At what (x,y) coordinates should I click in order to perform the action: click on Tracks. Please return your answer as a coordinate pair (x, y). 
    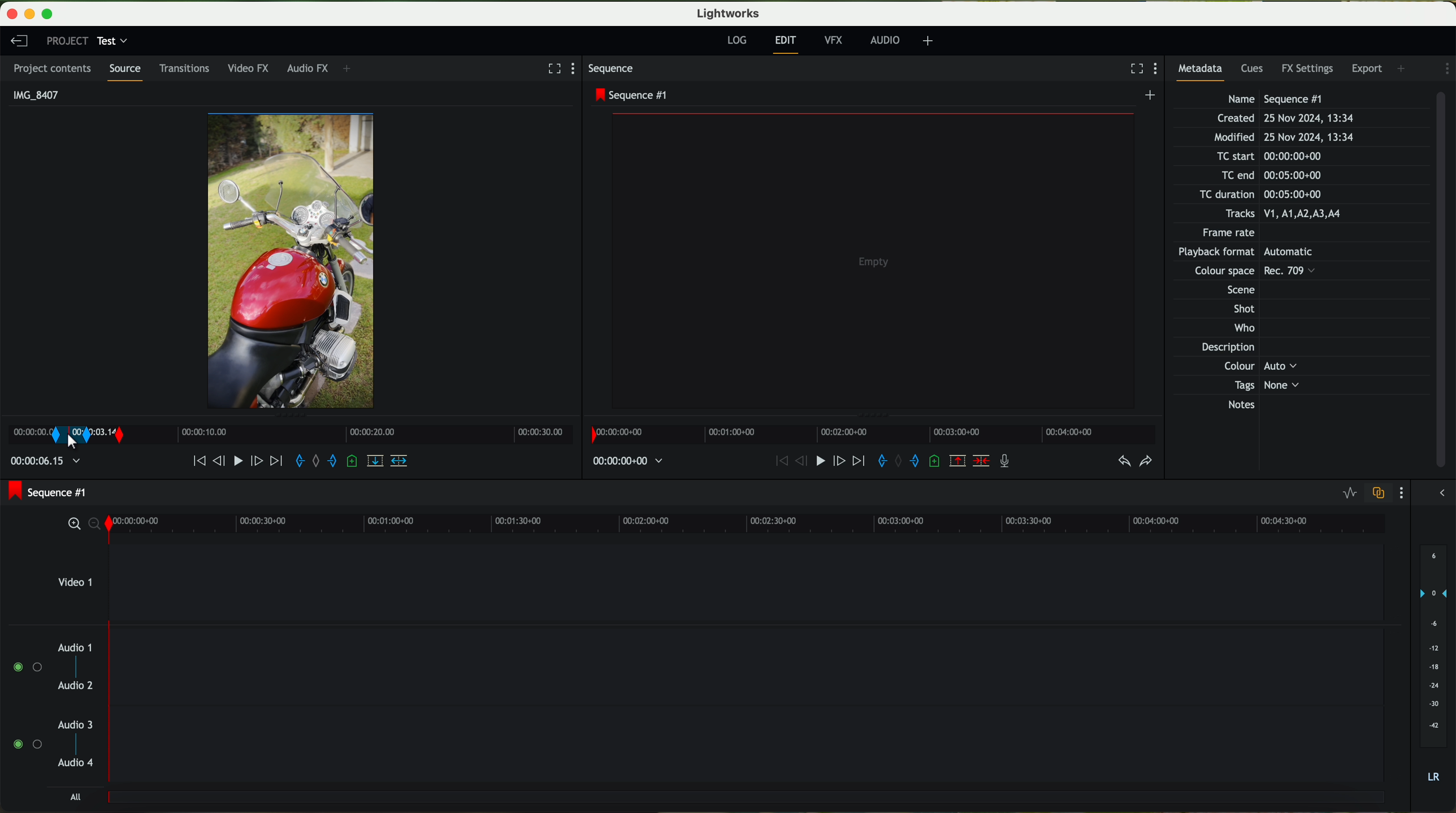
    Looking at the image, I should click on (1281, 214).